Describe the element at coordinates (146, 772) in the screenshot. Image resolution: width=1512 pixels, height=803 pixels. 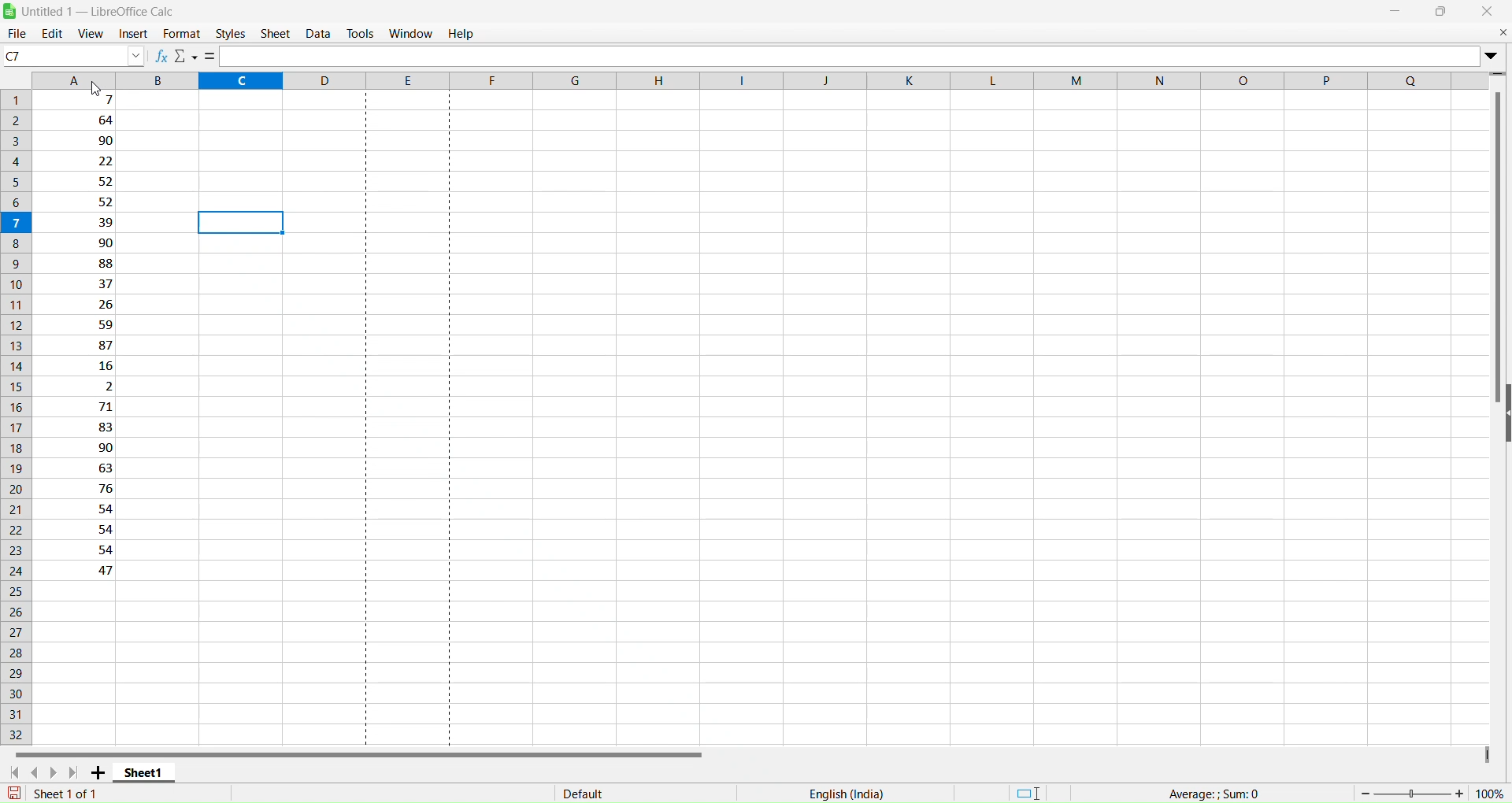
I see `Sheet 1` at that location.